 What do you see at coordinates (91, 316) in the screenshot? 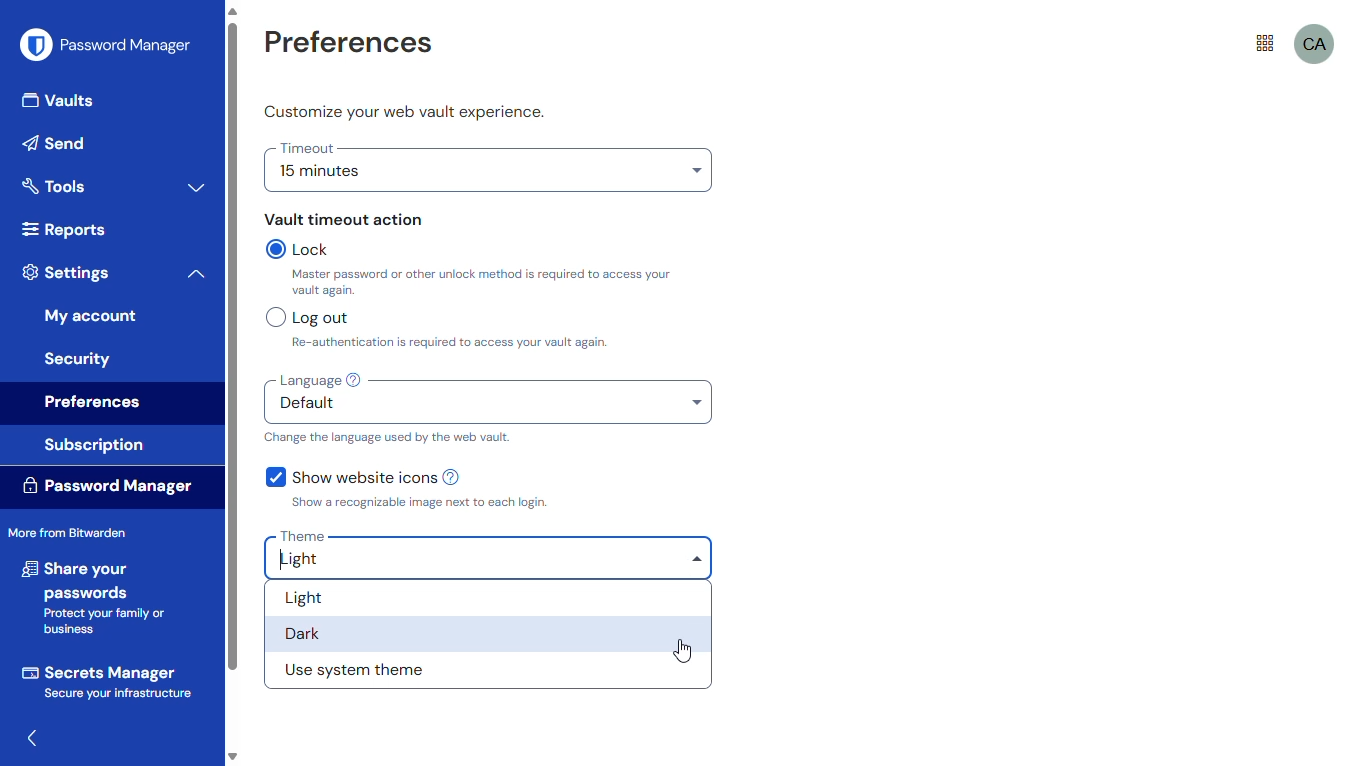
I see `my account` at bounding box center [91, 316].